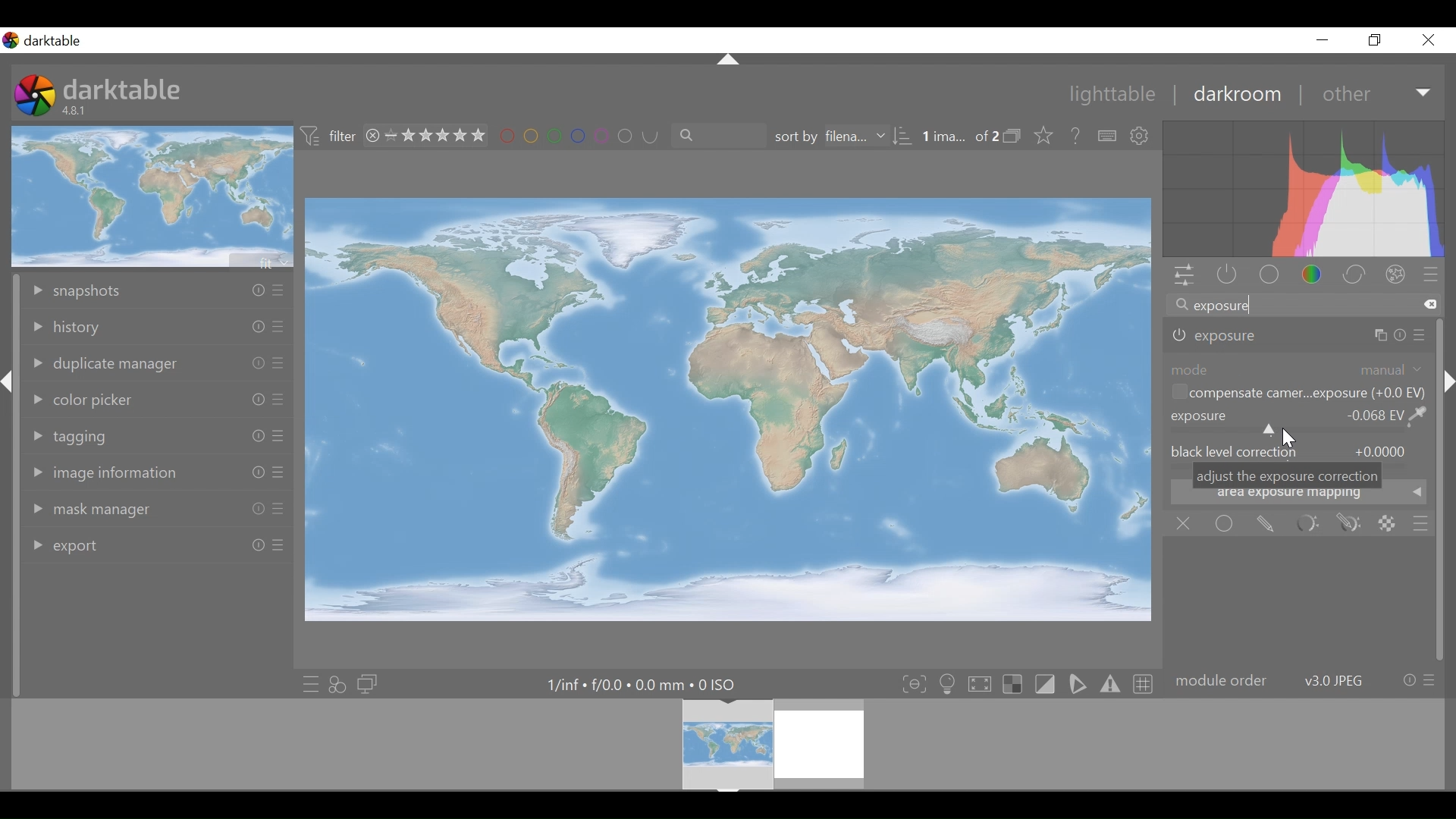 The height and width of the screenshot is (819, 1456). Describe the element at coordinates (11, 552) in the screenshot. I see `vertical scroll bar` at that location.